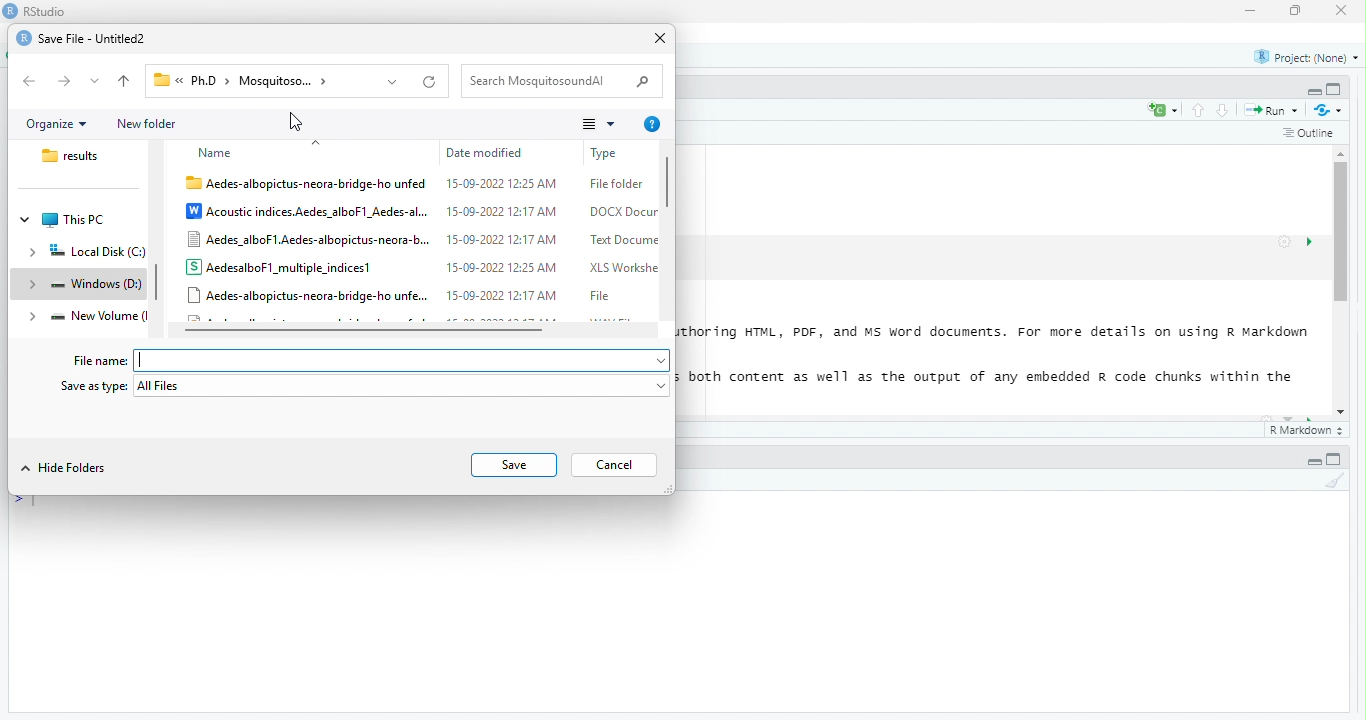 The image size is (1366, 720). Describe the element at coordinates (57, 125) in the screenshot. I see `Organize ` at that location.